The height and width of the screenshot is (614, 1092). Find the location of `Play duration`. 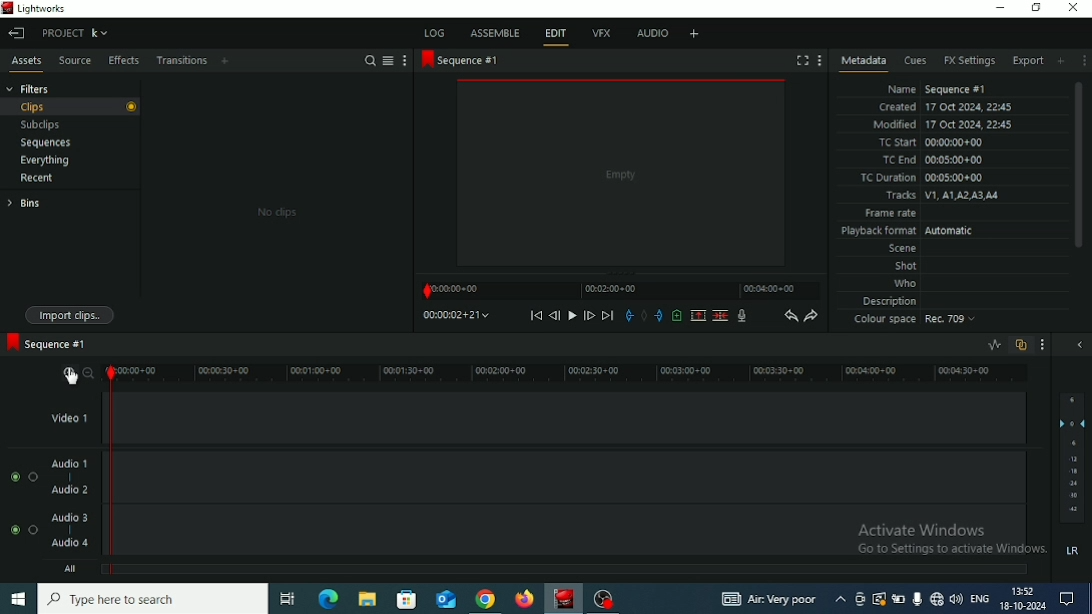

Play duration is located at coordinates (620, 291).